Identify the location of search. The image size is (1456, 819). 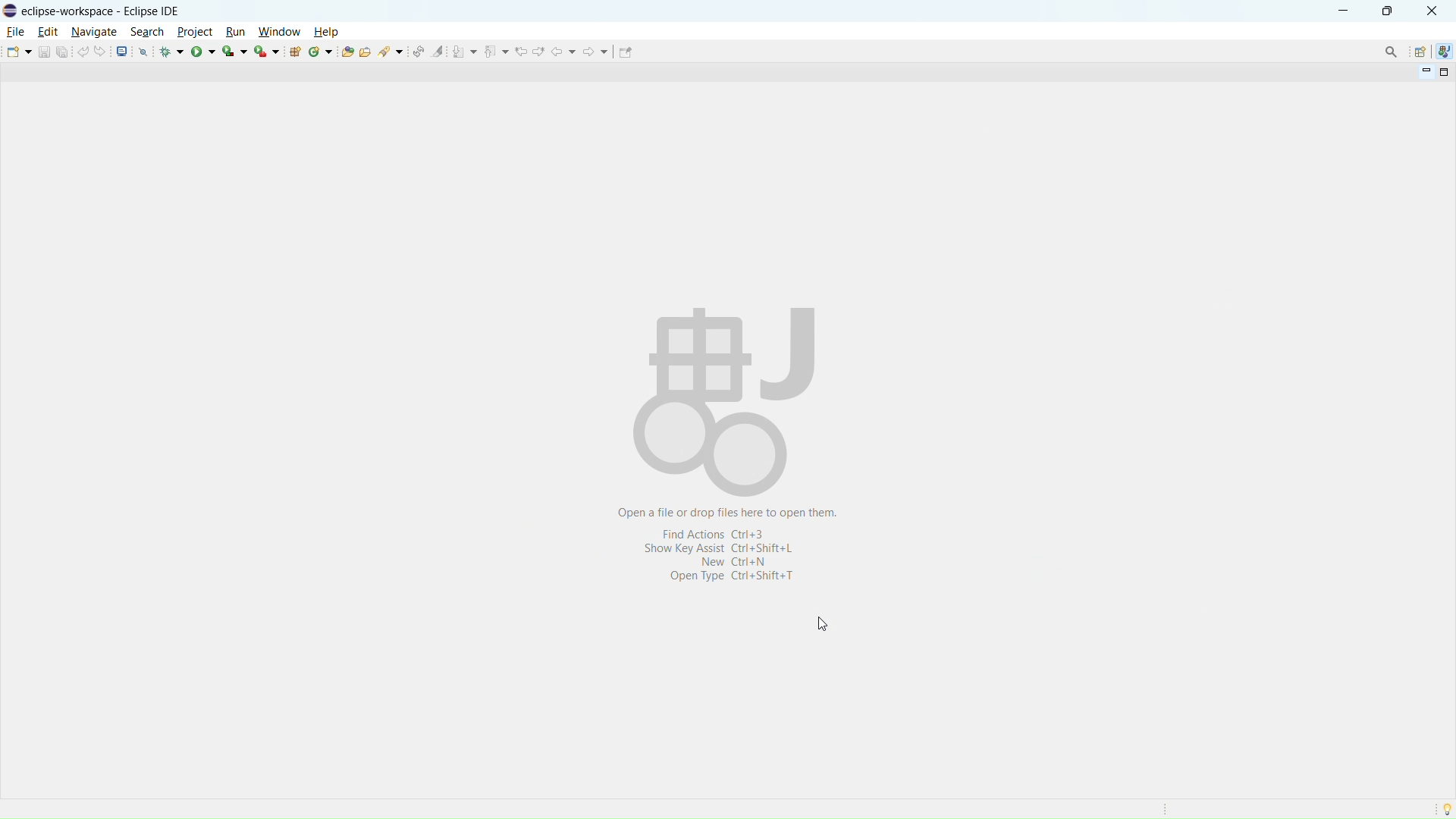
(147, 32).